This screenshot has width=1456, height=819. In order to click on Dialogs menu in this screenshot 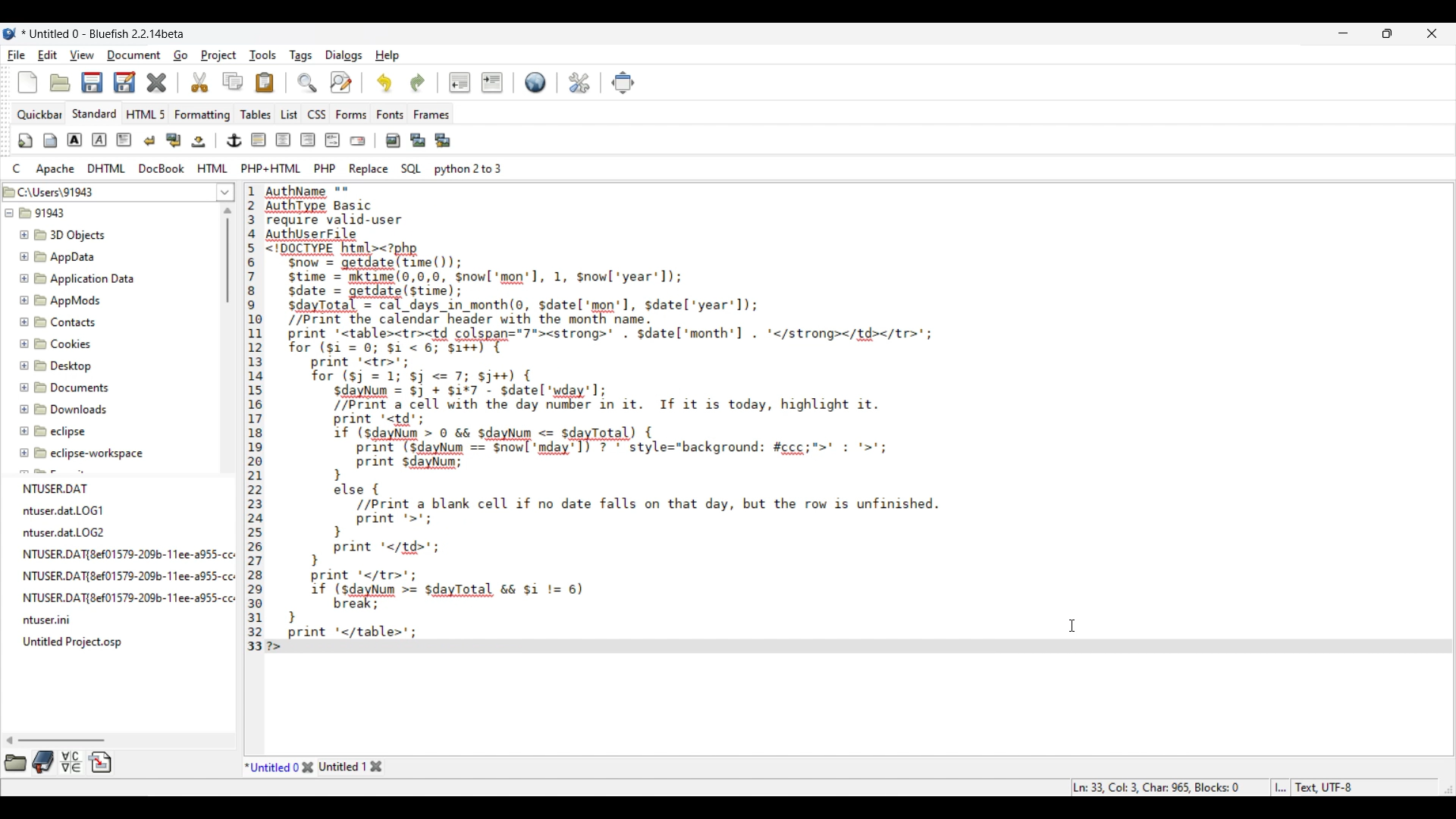, I will do `click(344, 56)`.